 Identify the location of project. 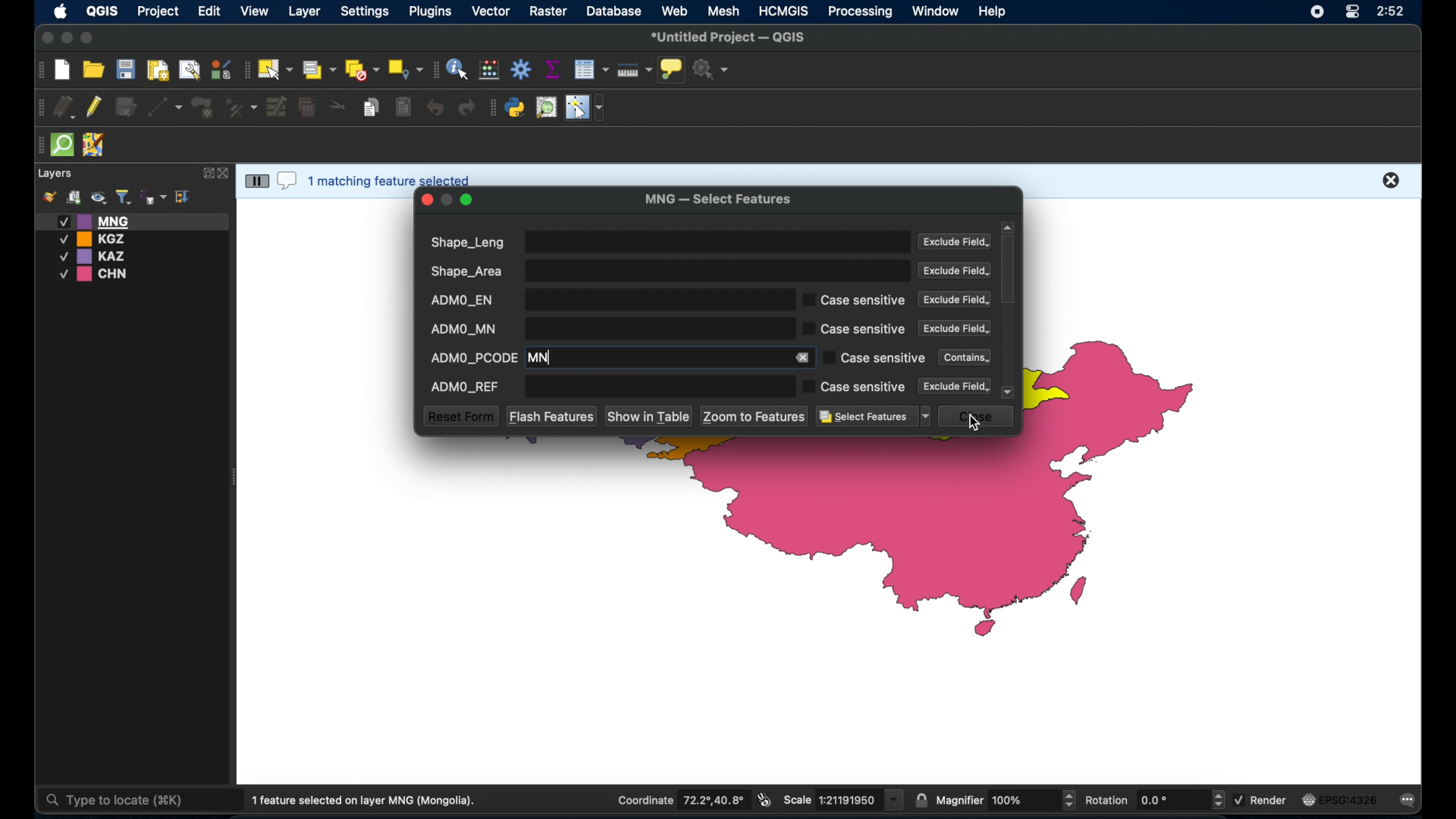
(158, 12).